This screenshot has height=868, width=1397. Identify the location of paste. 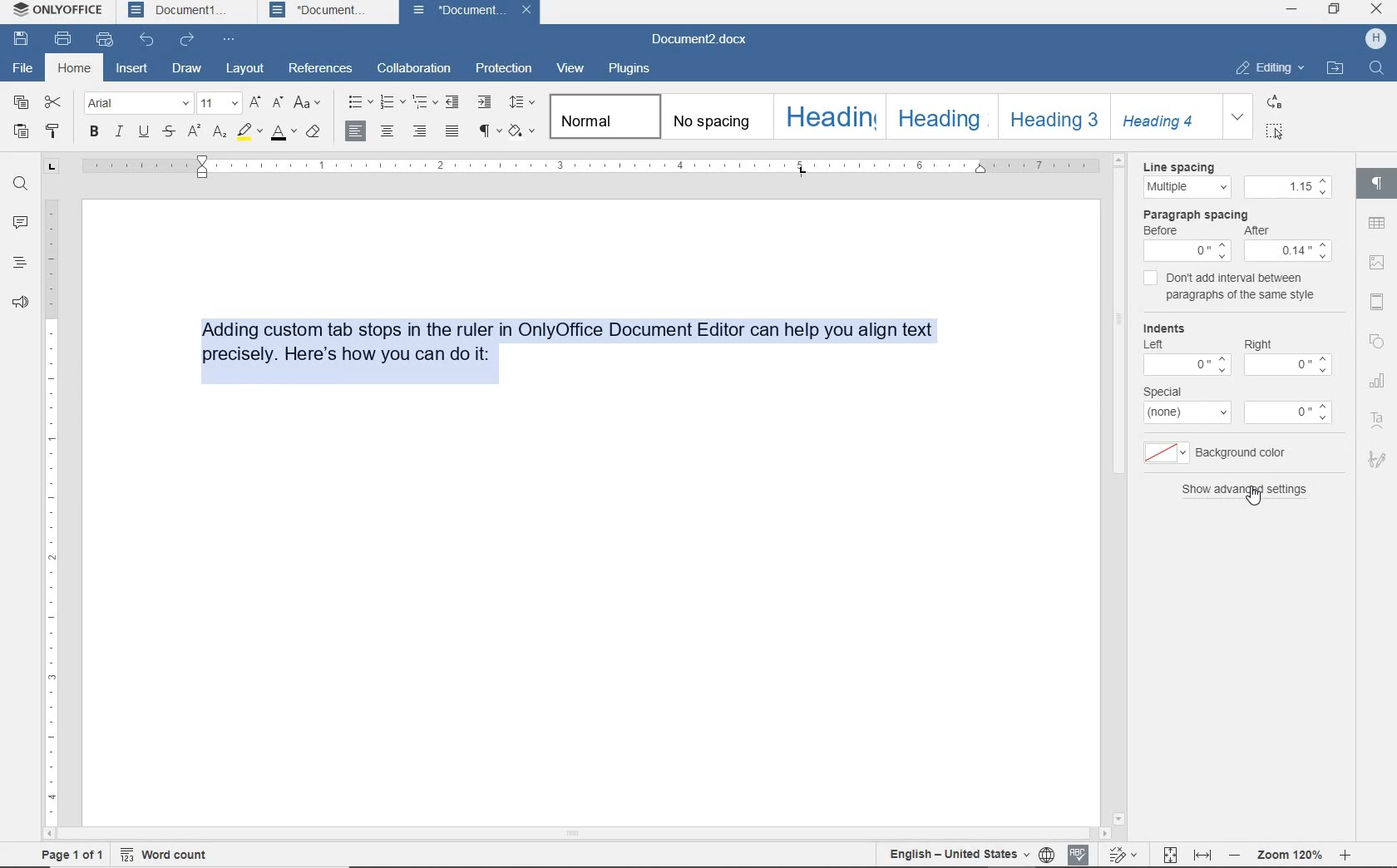
(22, 132).